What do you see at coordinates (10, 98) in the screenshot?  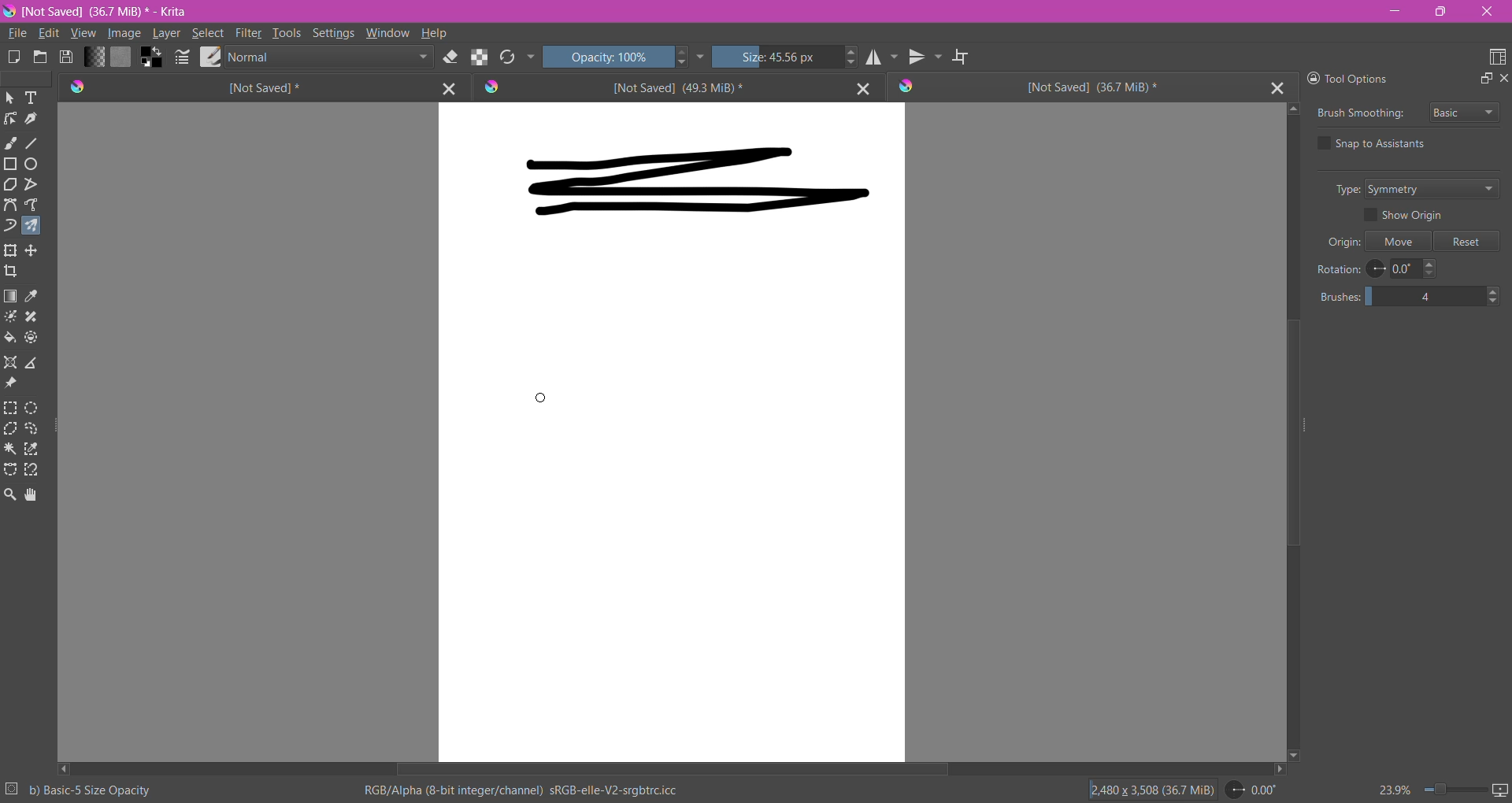 I see `Select Shapes Tool` at bounding box center [10, 98].